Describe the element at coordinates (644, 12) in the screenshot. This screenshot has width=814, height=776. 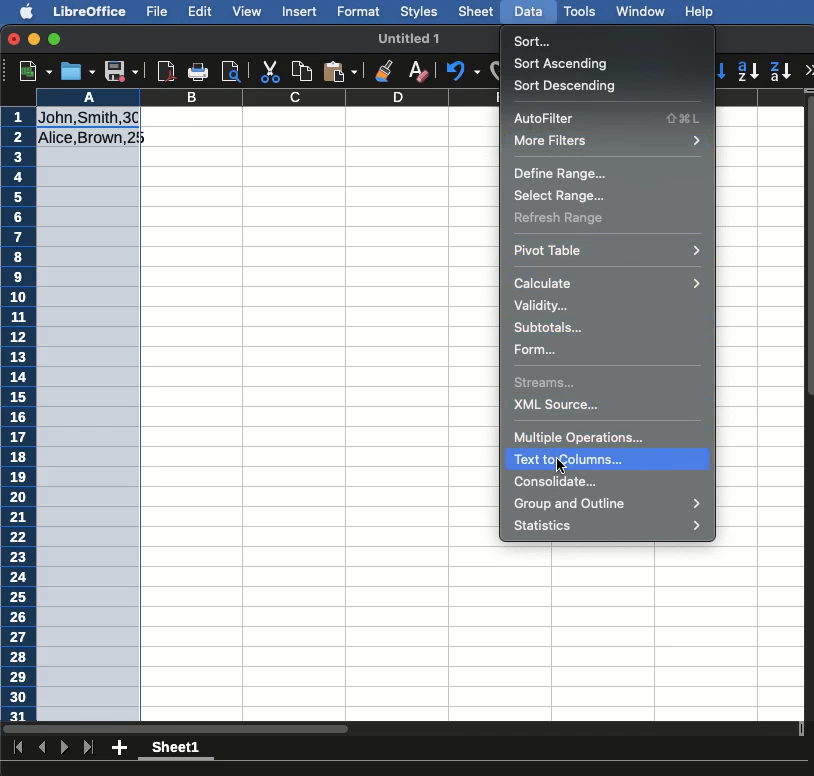
I see `Window` at that location.